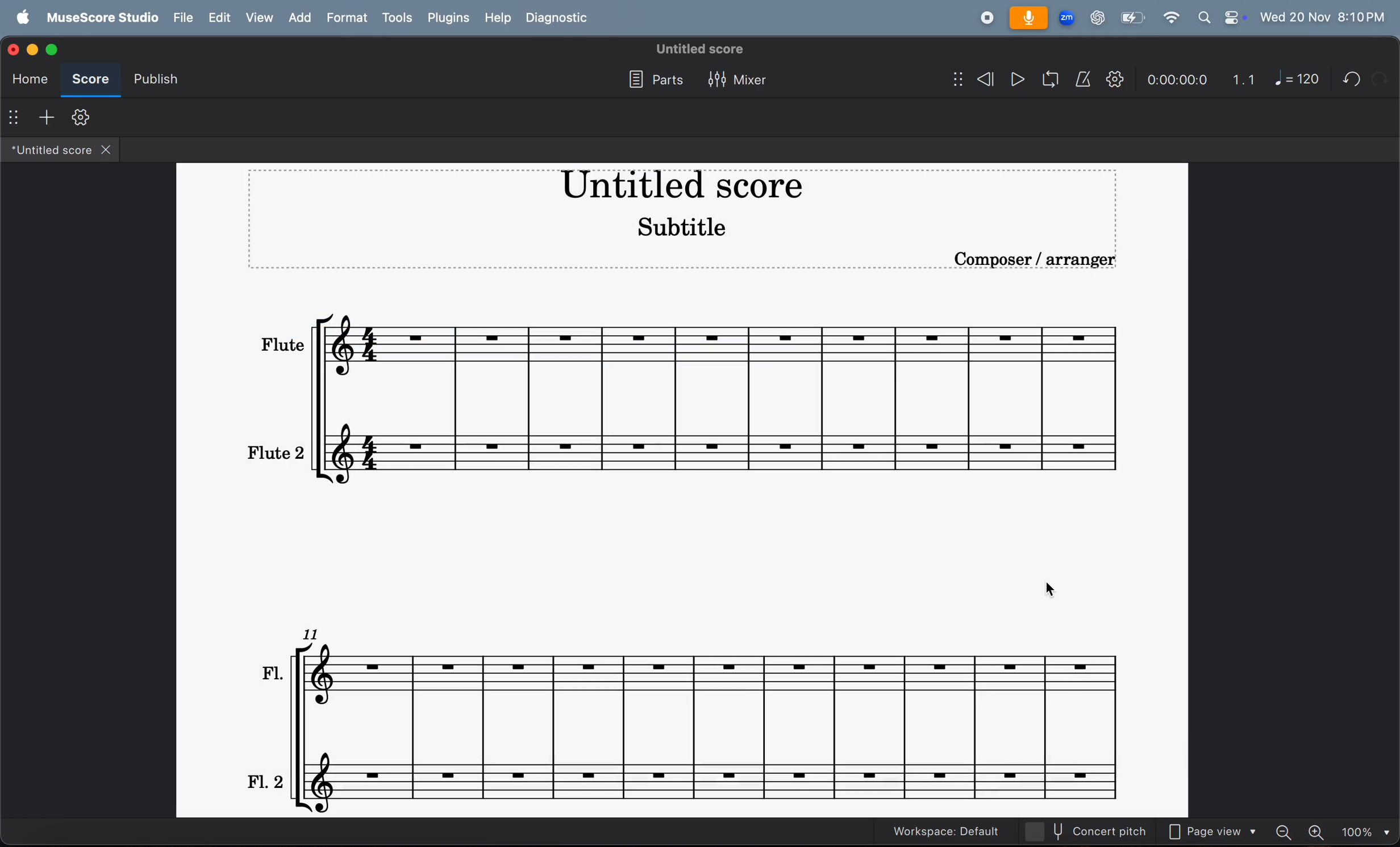 The height and width of the screenshot is (847, 1400). I want to click on add, so click(299, 18).